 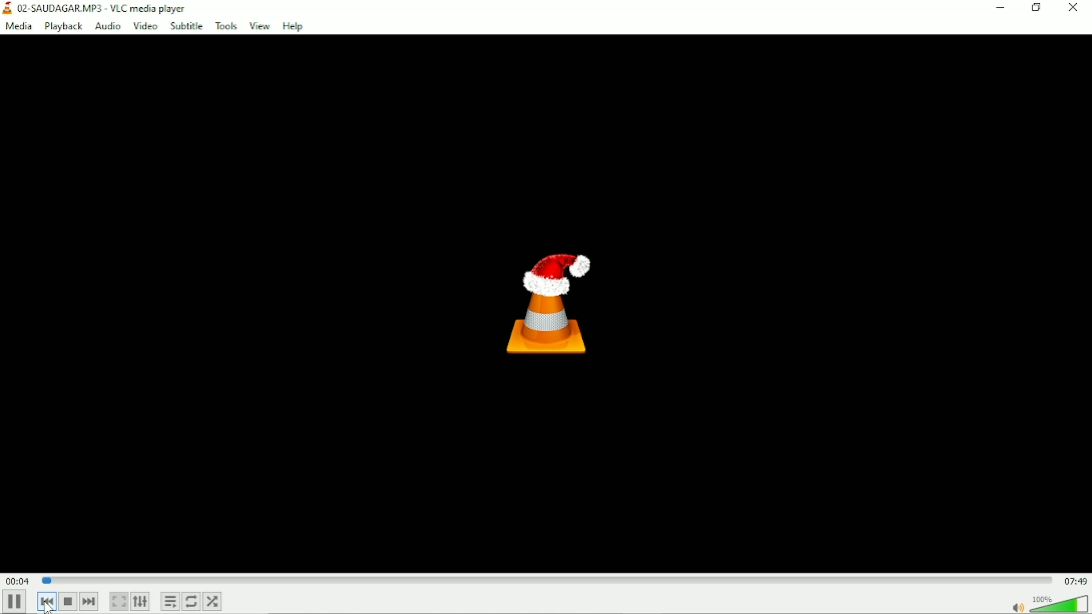 What do you see at coordinates (1000, 7) in the screenshot?
I see `Minimize` at bounding box center [1000, 7].